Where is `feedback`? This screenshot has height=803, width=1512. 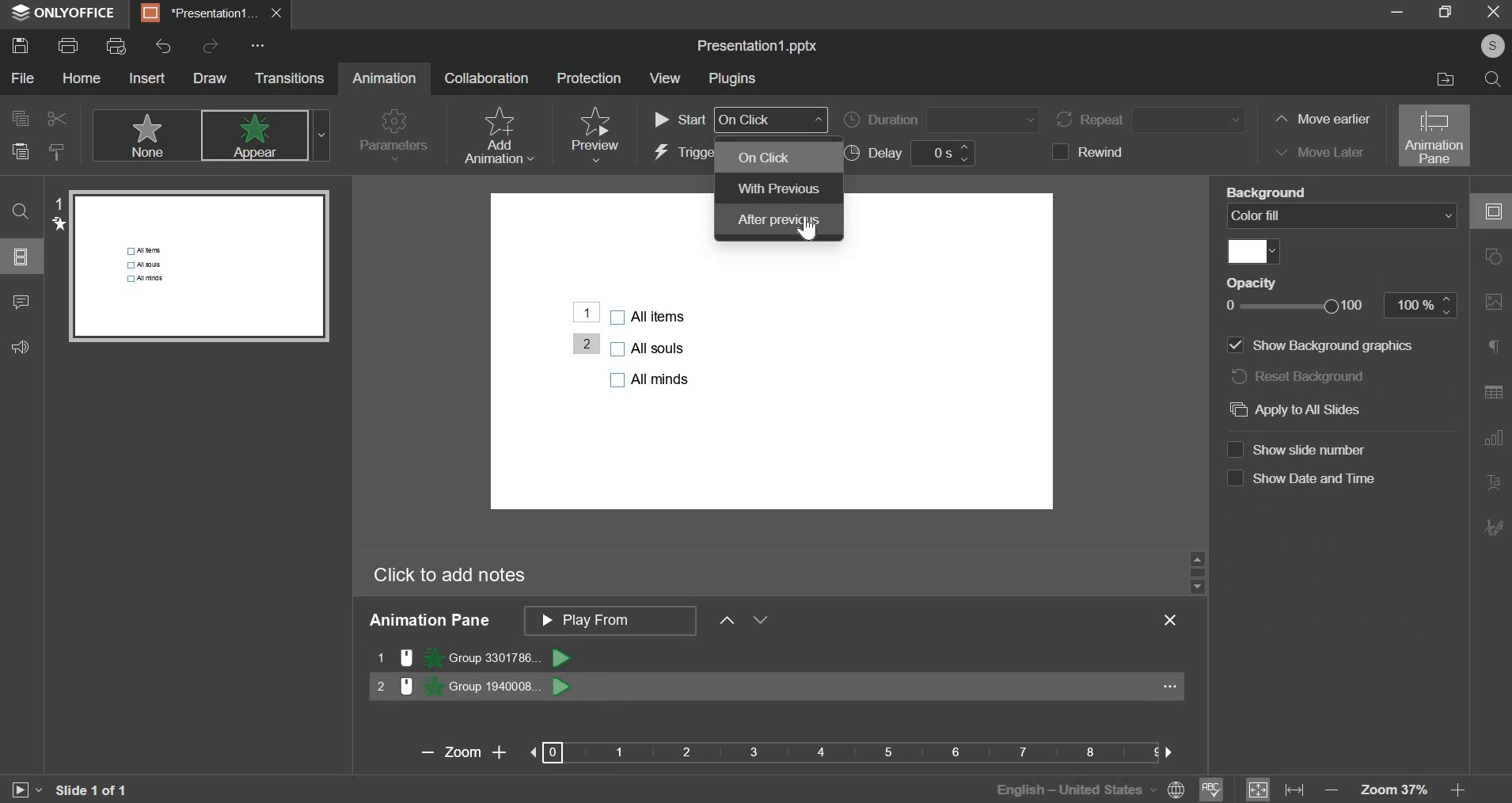 feedback is located at coordinates (28, 346).